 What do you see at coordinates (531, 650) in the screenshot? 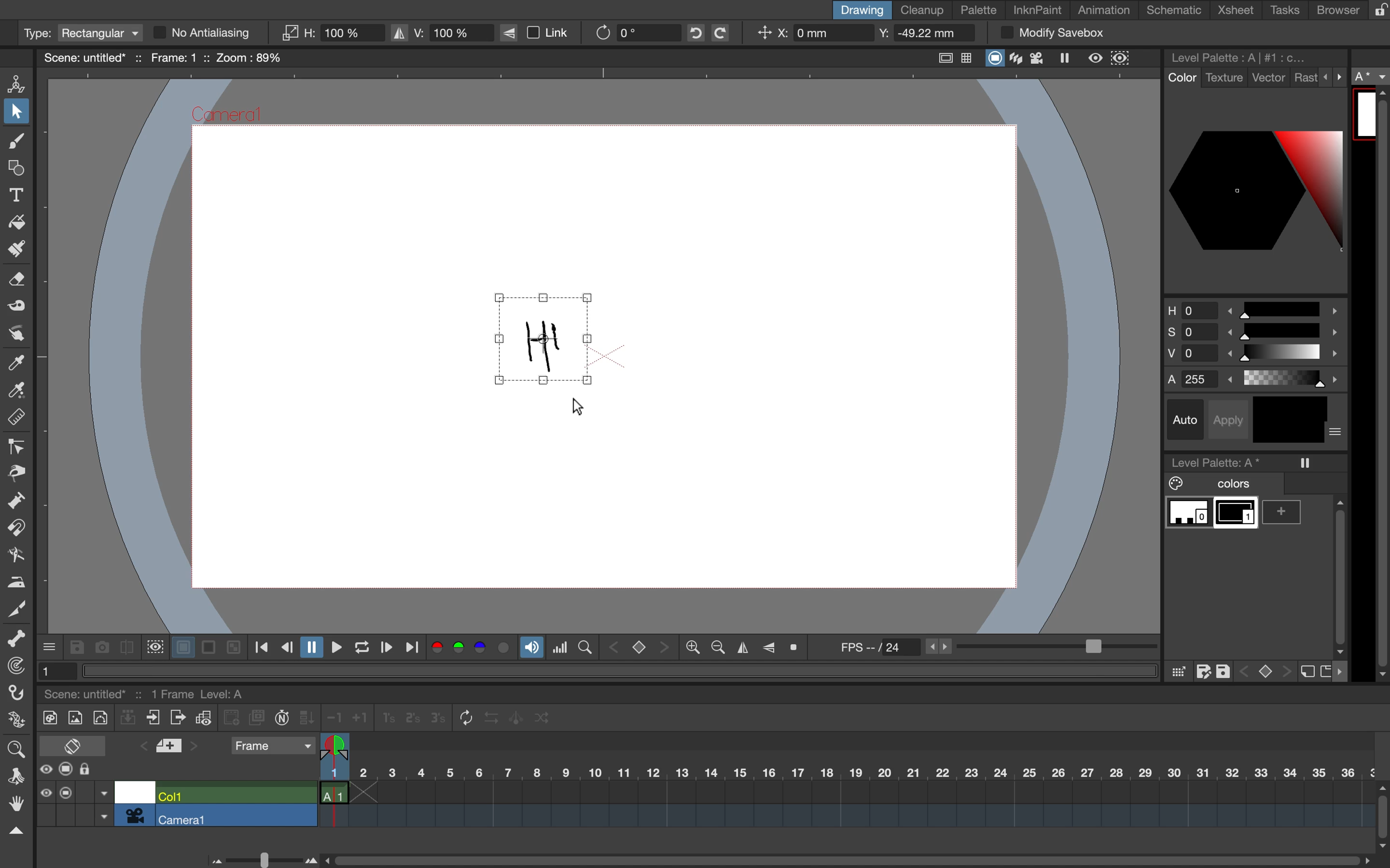
I see `soundtrack` at bounding box center [531, 650].